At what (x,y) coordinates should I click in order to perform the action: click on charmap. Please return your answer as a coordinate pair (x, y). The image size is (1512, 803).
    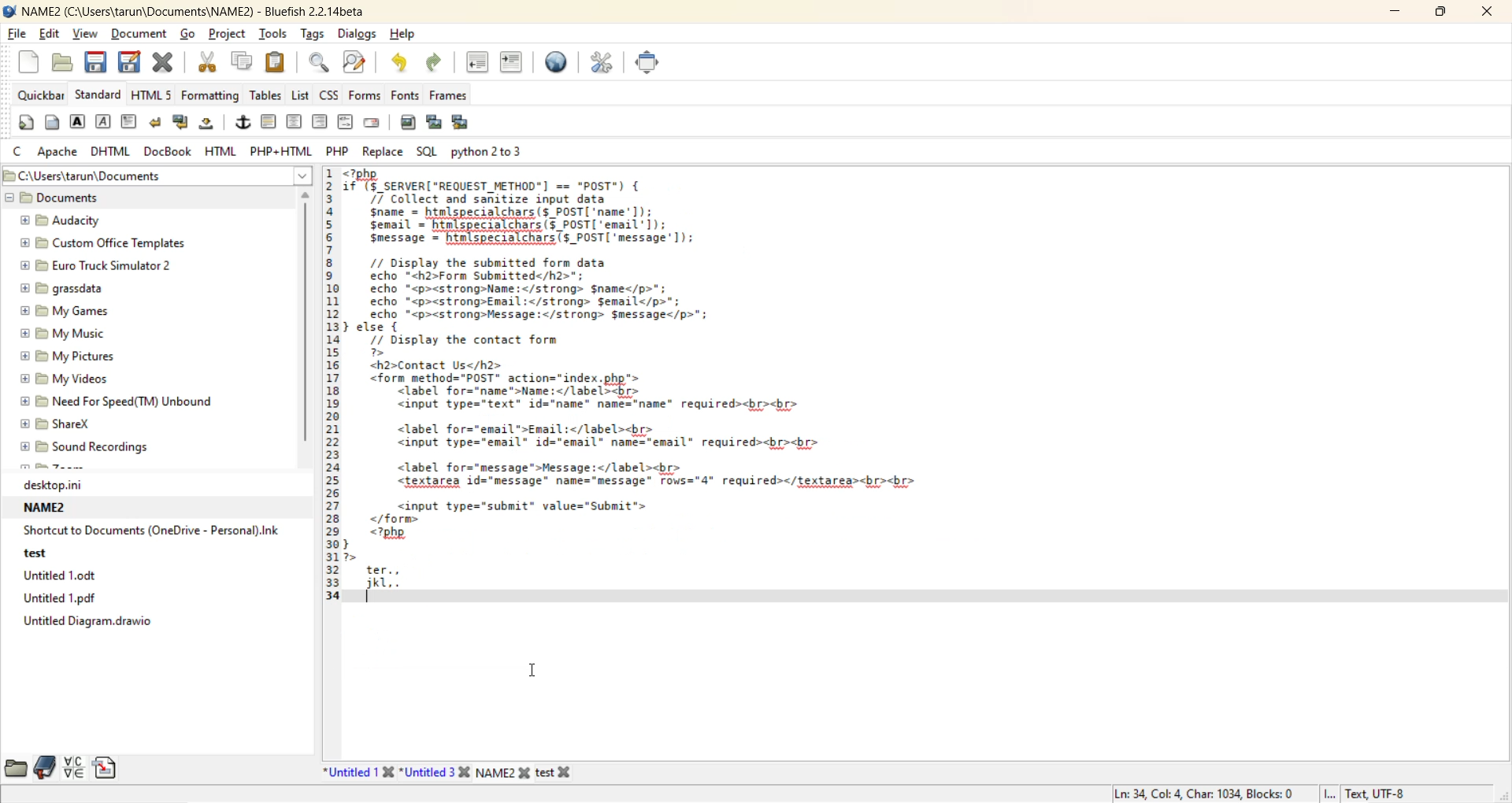
    Looking at the image, I should click on (74, 768).